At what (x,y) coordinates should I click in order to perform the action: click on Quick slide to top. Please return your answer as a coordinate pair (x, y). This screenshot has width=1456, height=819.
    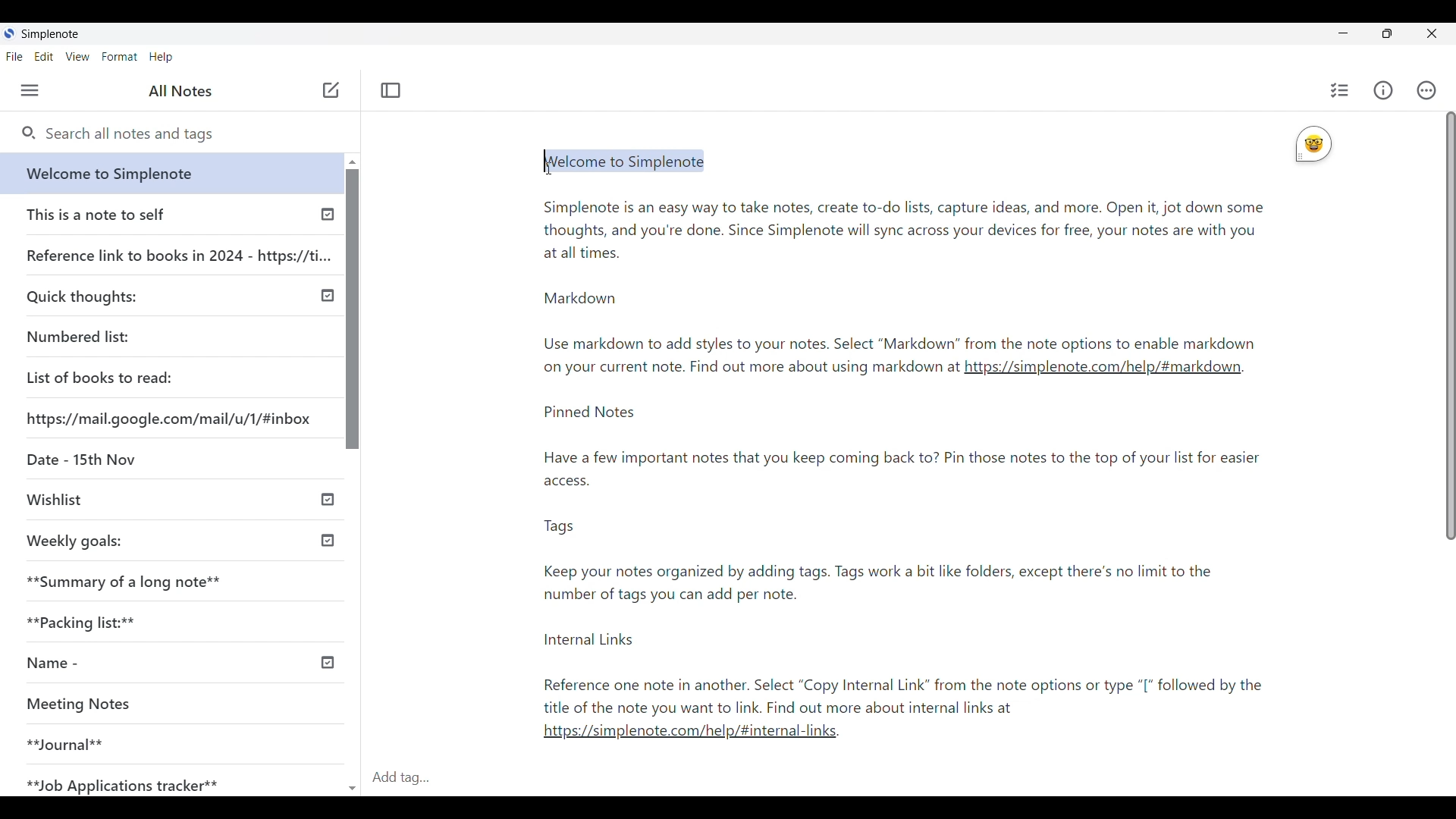
    Looking at the image, I should click on (353, 162).